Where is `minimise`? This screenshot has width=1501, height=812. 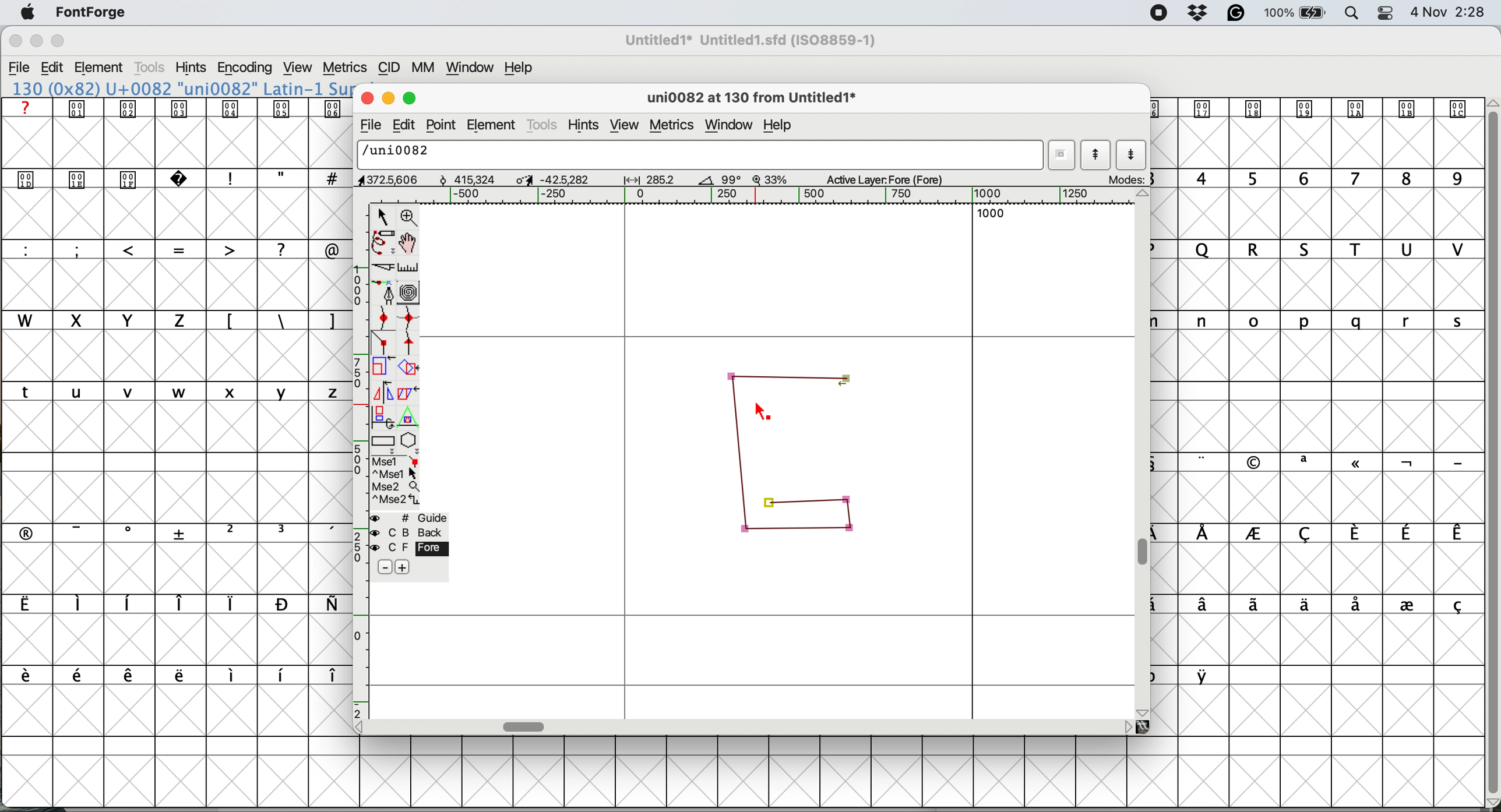
minimise is located at coordinates (36, 41).